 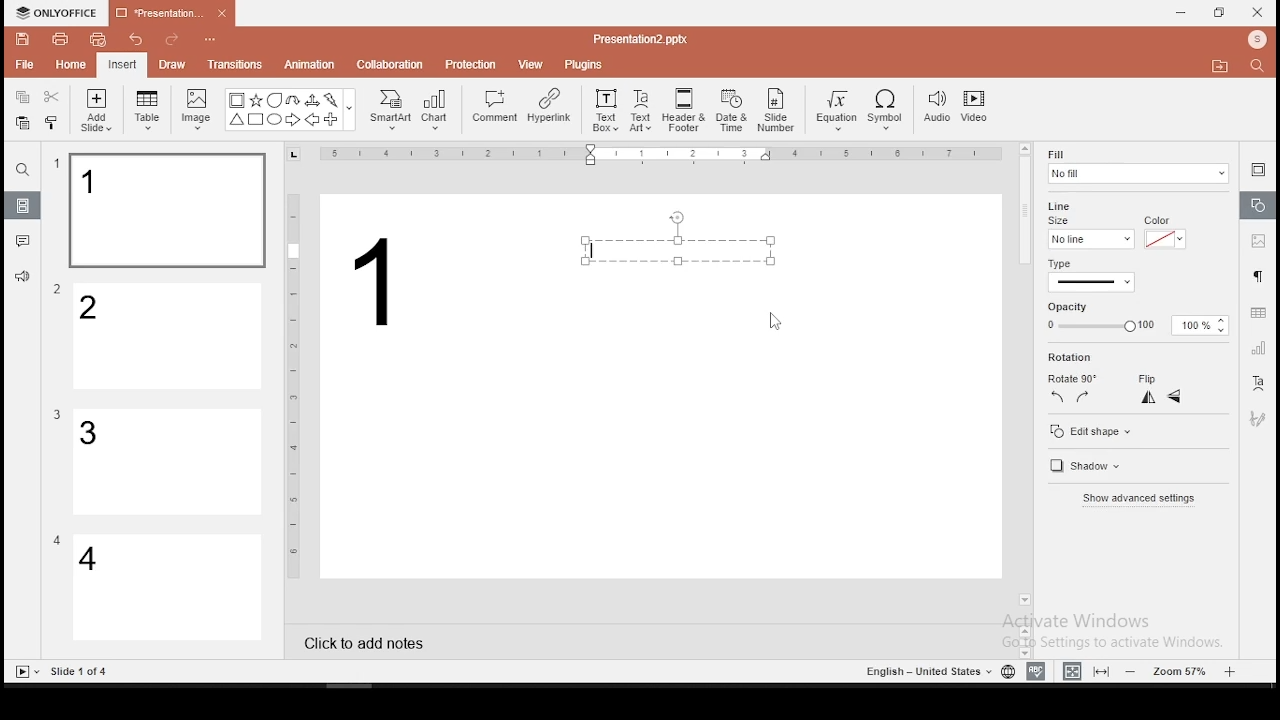 What do you see at coordinates (60, 37) in the screenshot?
I see `print file` at bounding box center [60, 37].